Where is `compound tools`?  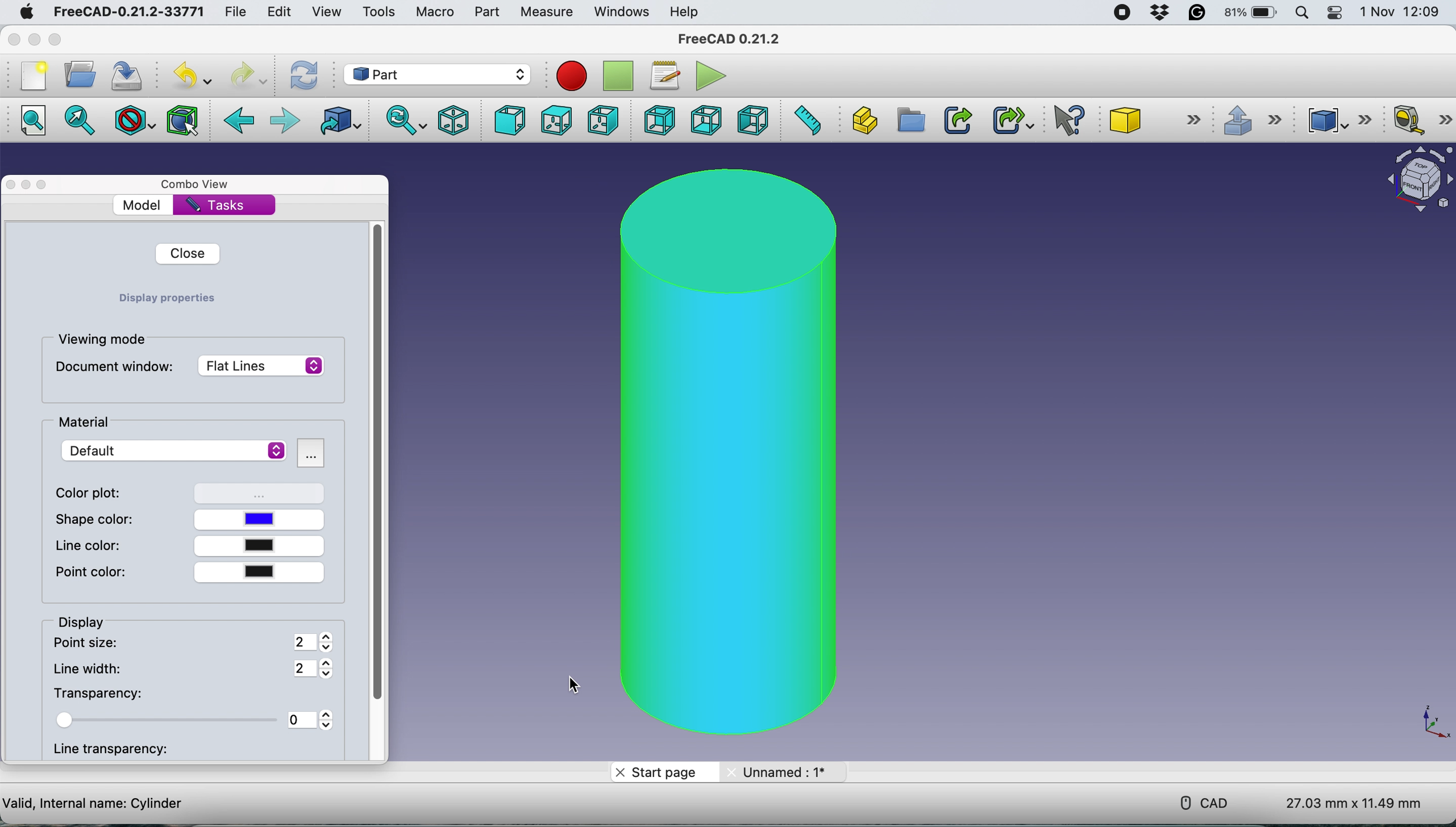
compound tools is located at coordinates (1338, 119).